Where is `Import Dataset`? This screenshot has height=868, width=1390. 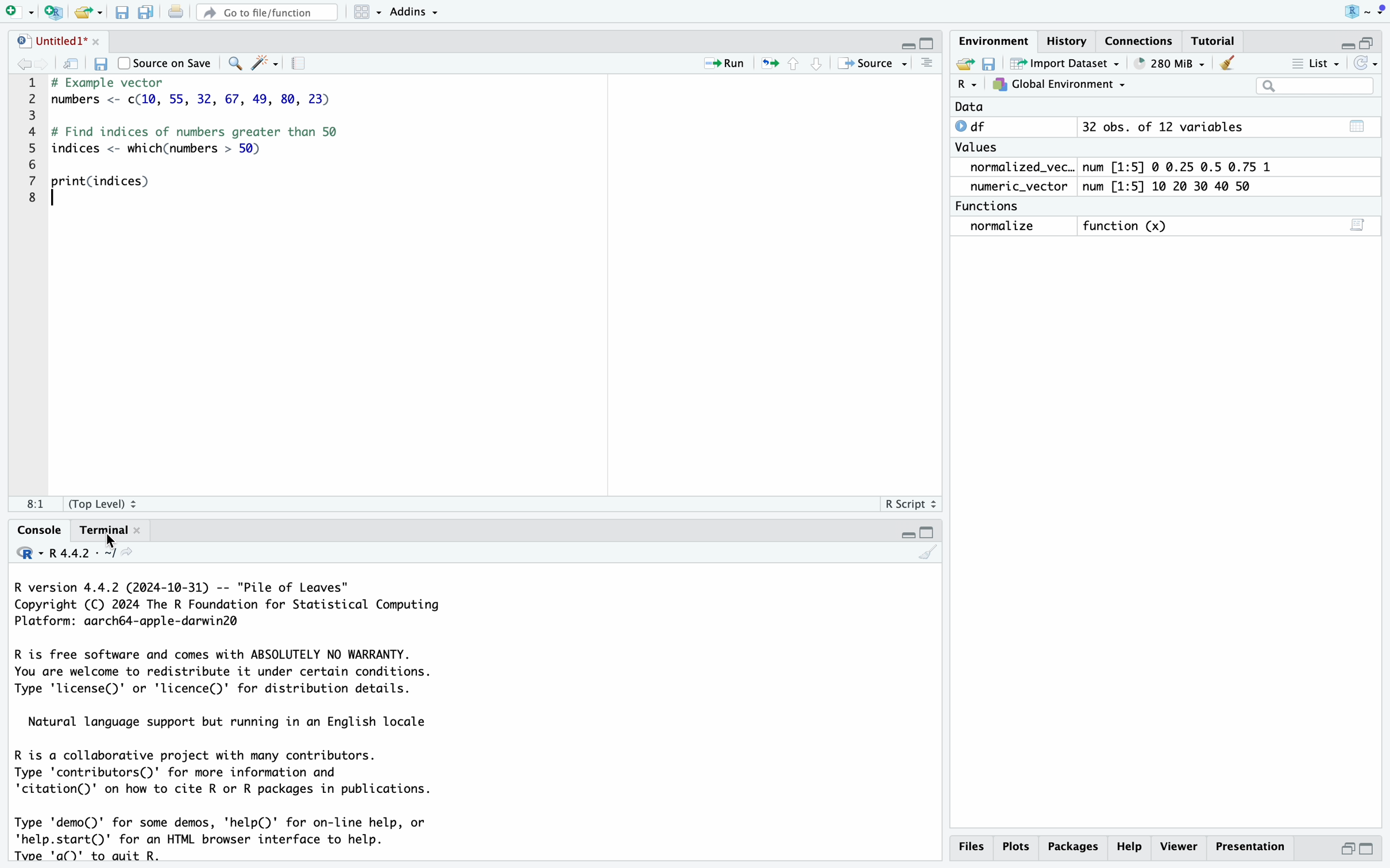
Import Dataset is located at coordinates (1062, 64).